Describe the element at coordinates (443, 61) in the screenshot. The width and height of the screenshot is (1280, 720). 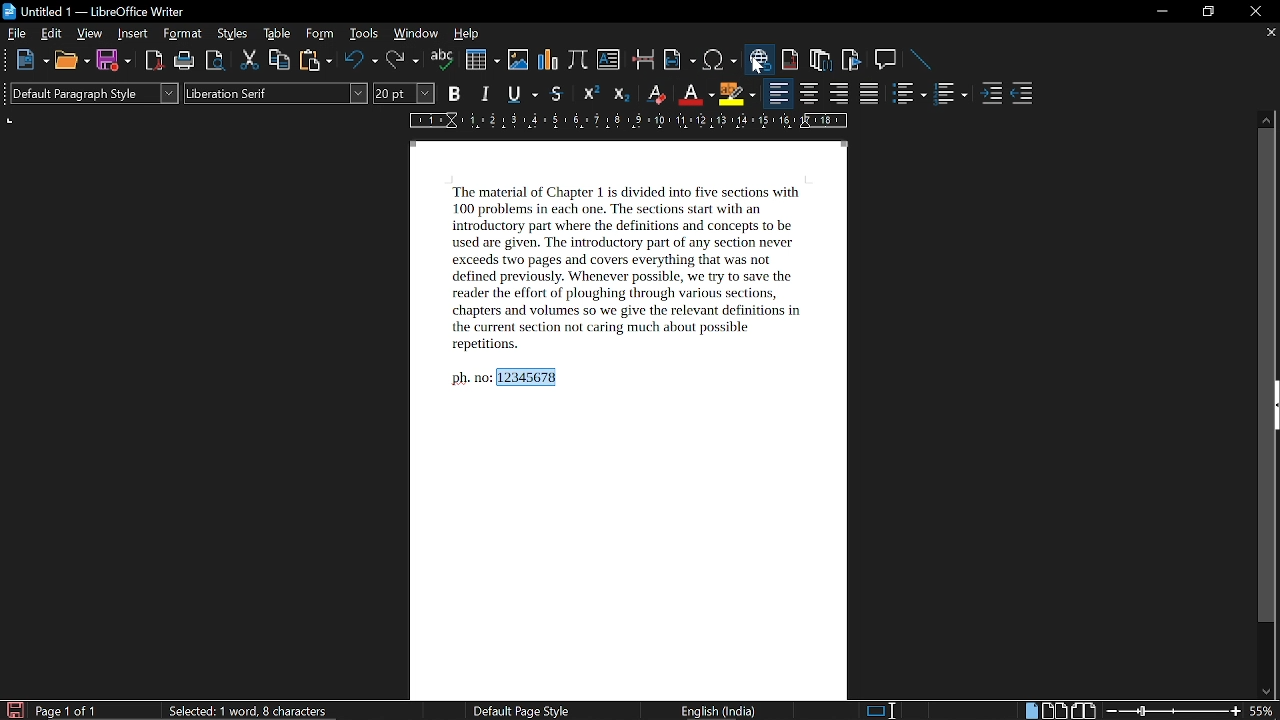
I see `spell check` at that location.